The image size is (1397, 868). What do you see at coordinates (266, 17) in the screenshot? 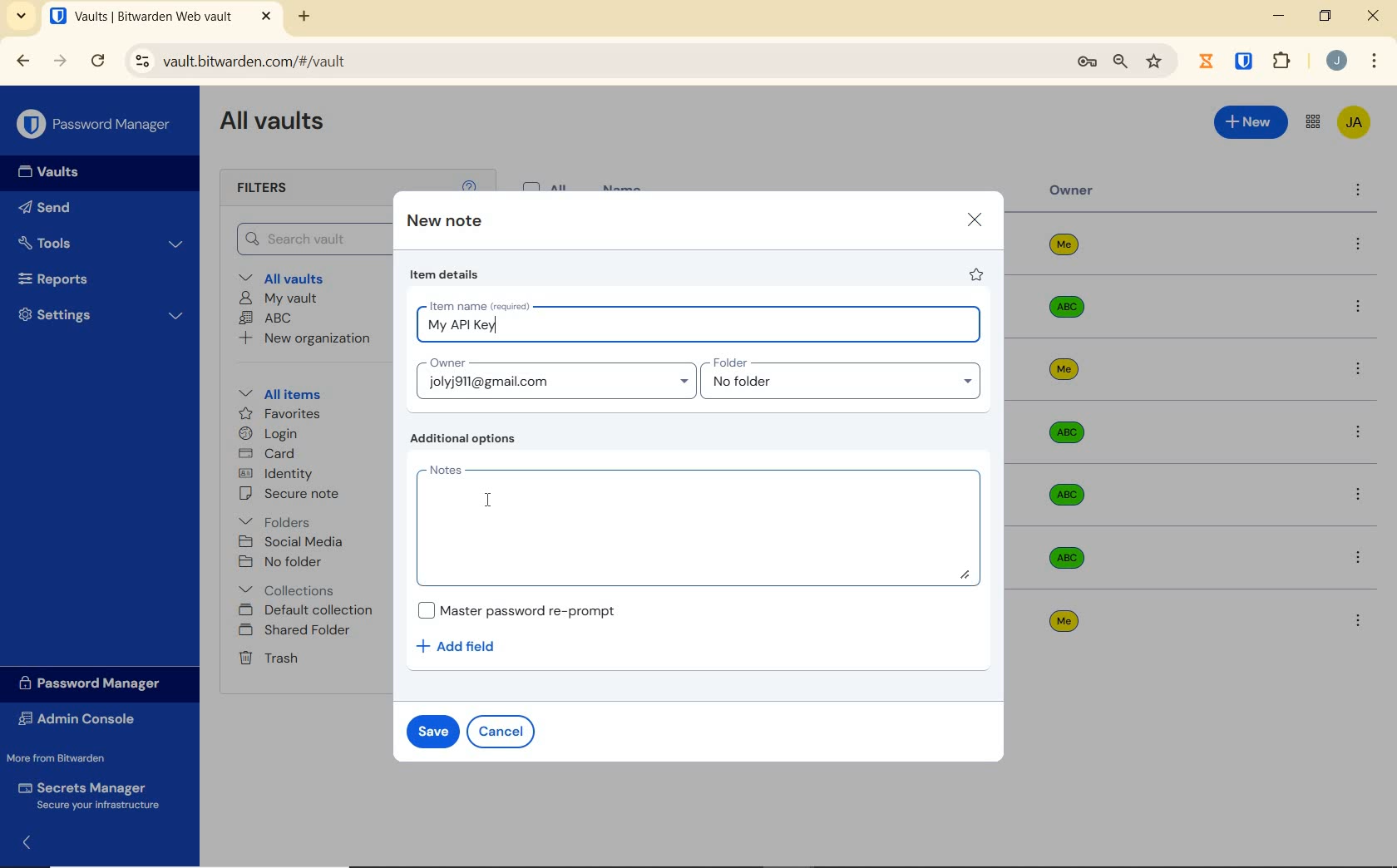
I see `CLOSE` at bounding box center [266, 17].